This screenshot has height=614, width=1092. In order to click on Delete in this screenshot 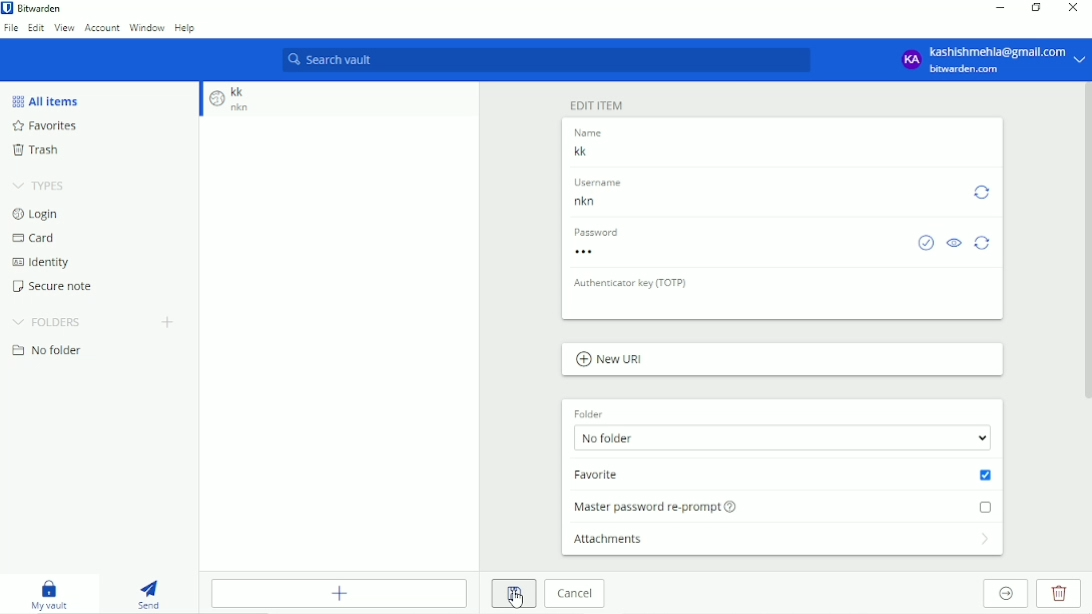, I will do `click(1063, 593)`.